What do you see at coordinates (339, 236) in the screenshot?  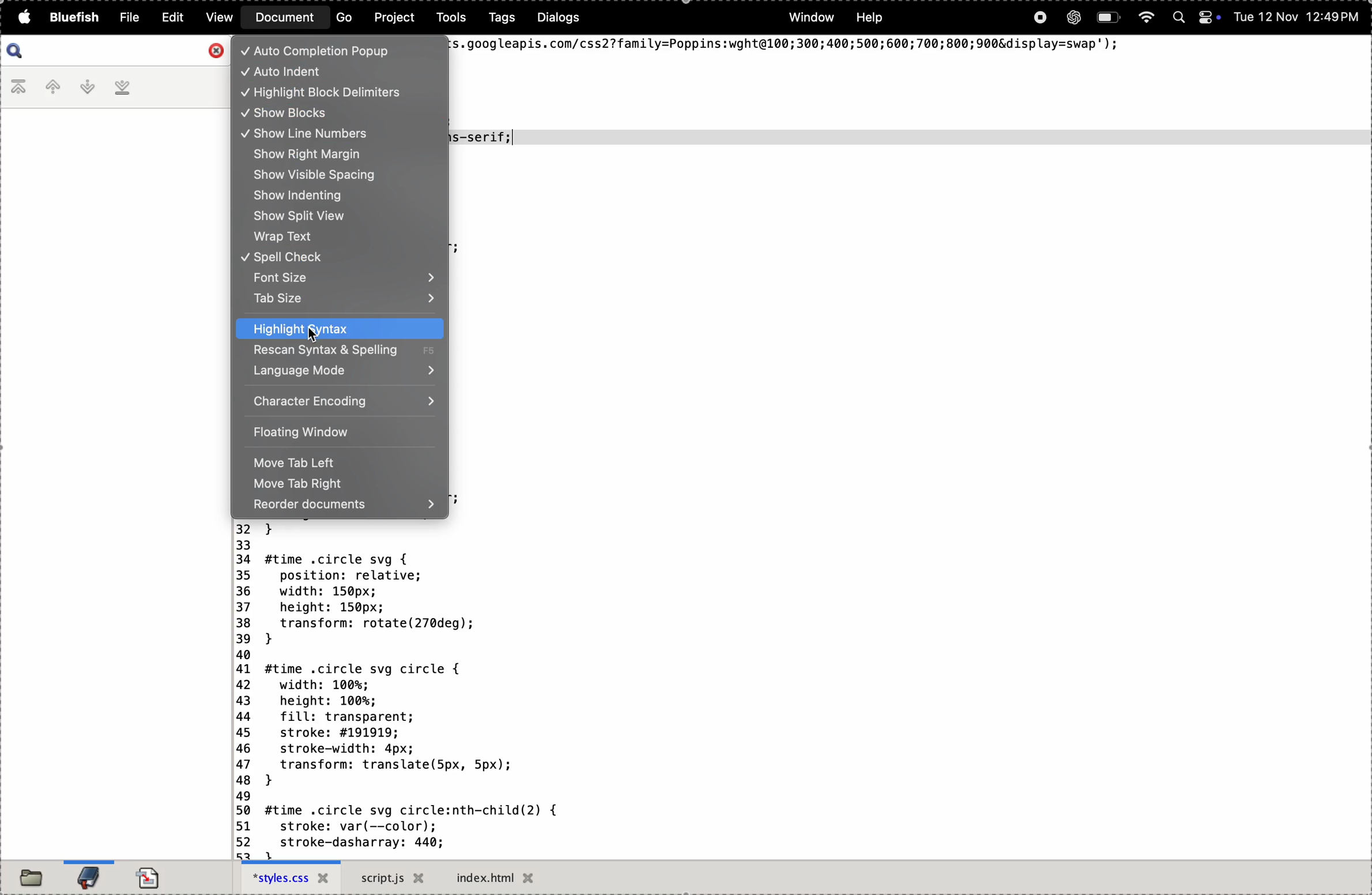 I see `wrap text` at bounding box center [339, 236].